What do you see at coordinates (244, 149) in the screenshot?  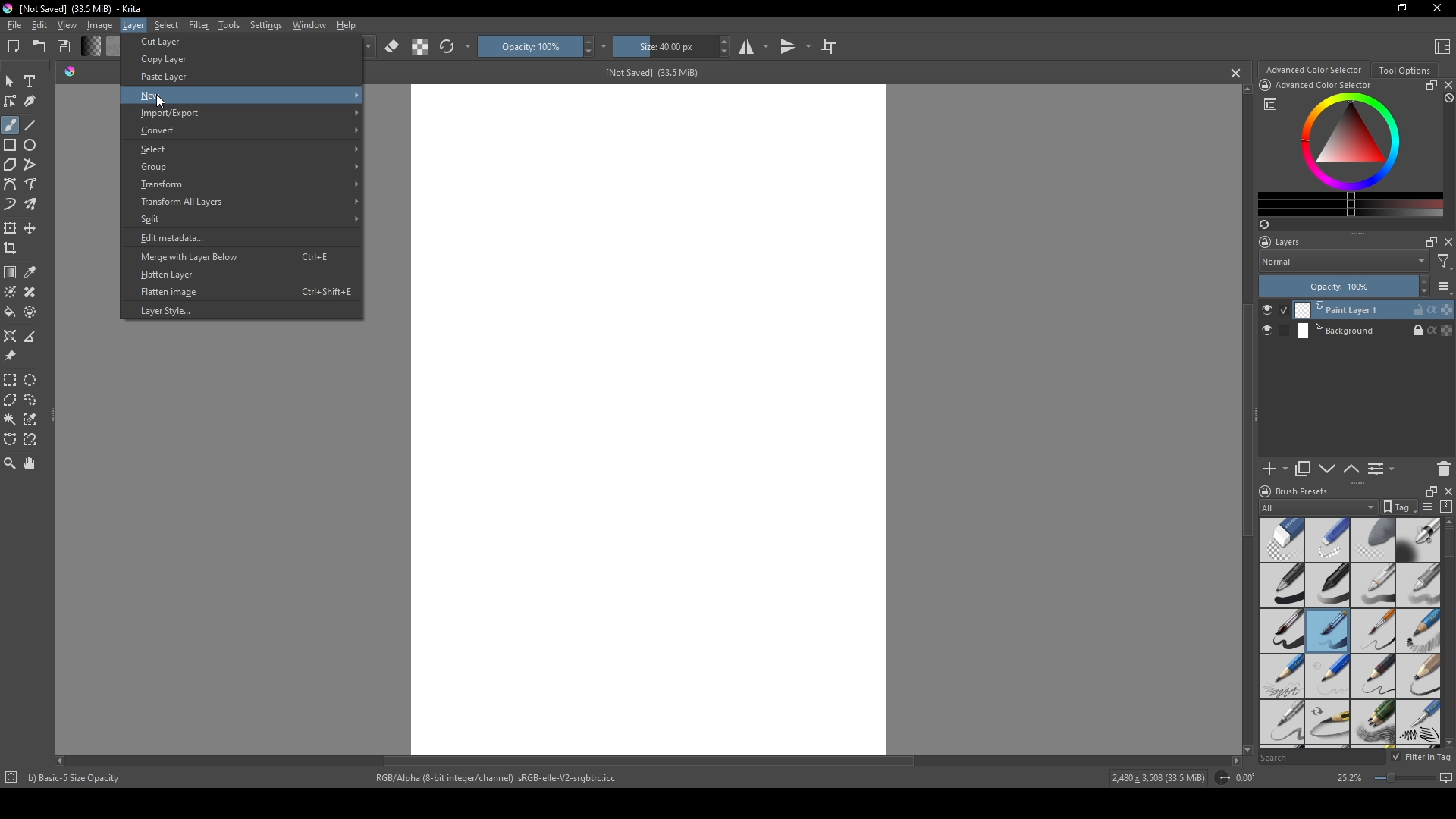 I see `Select` at bounding box center [244, 149].